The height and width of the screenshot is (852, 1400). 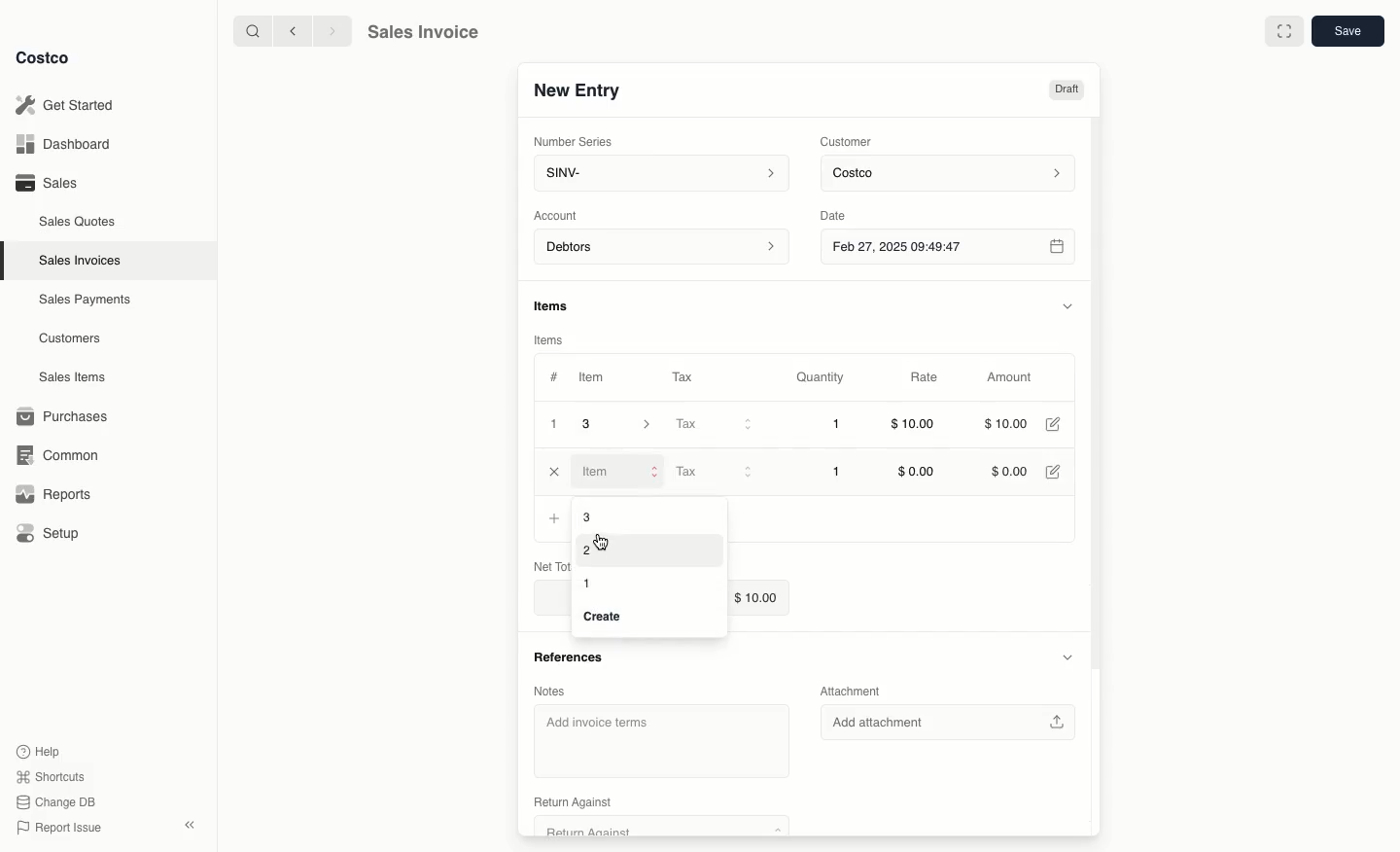 I want to click on Close, so click(x=555, y=472).